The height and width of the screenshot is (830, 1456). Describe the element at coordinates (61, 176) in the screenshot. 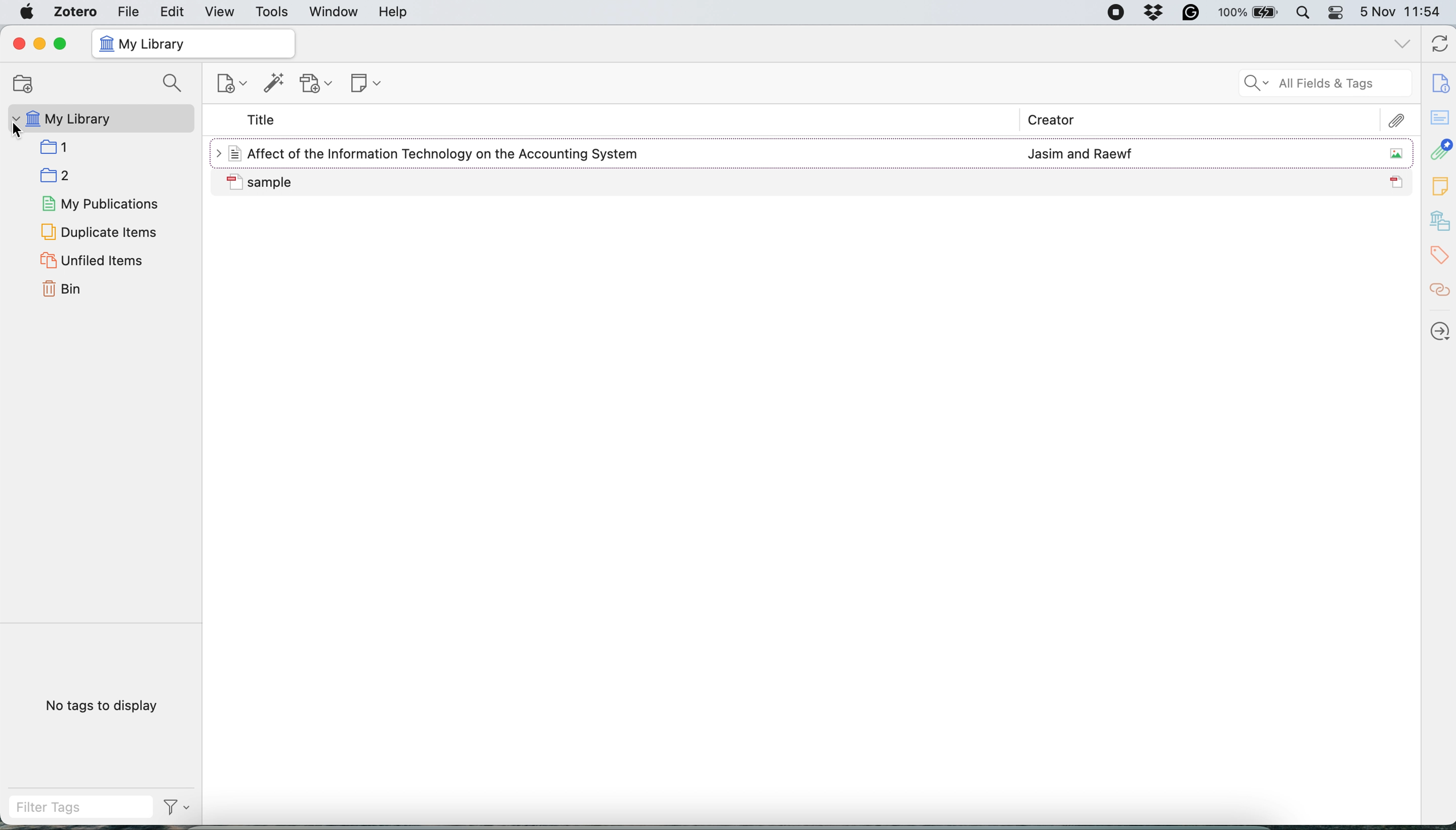

I see `Folder: 2` at that location.